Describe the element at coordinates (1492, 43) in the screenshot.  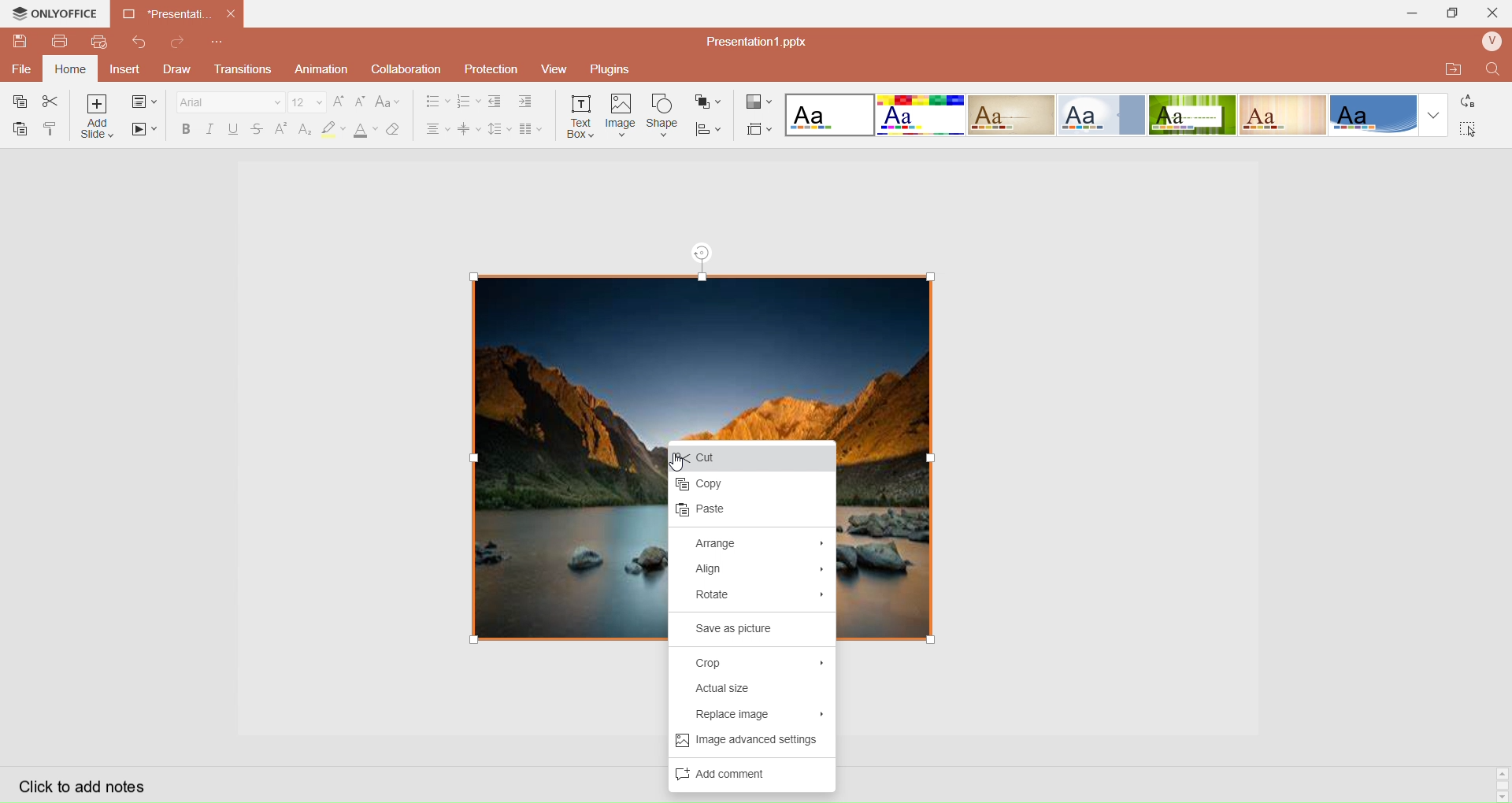
I see `User` at that location.